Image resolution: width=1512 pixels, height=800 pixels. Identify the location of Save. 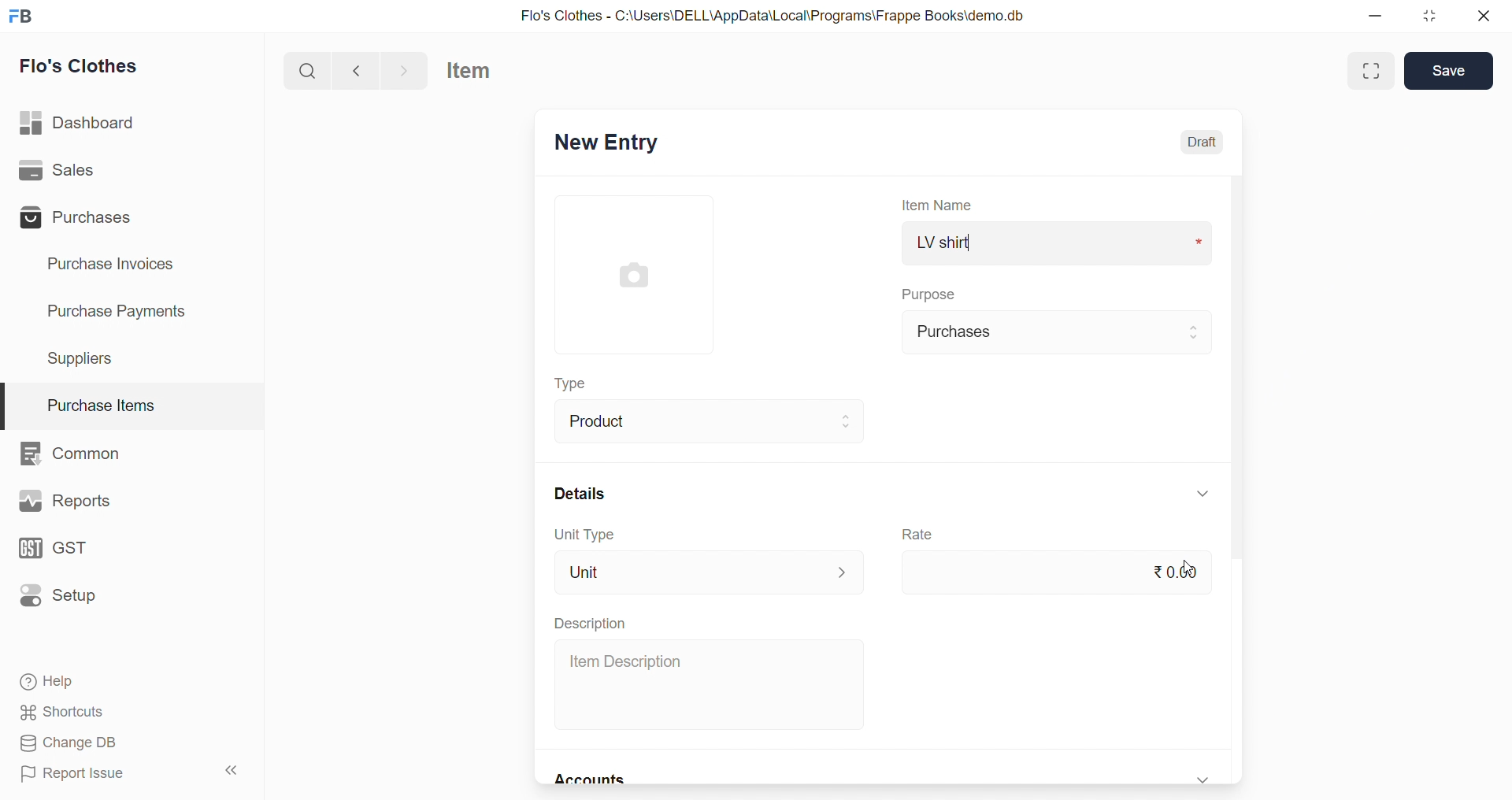
(1449, 71).